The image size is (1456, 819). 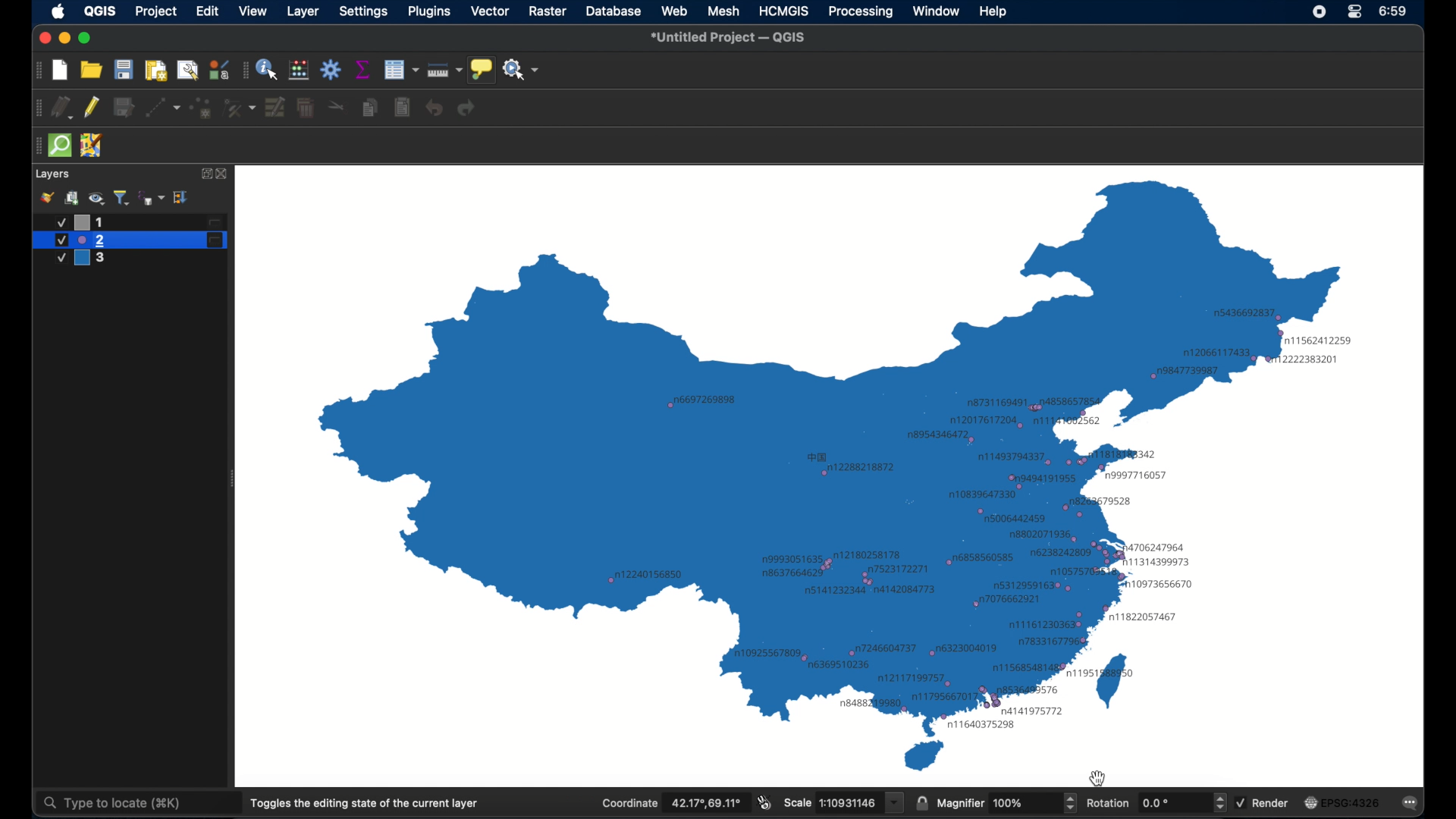 I want to click on current edits, so click(x=61, y=107).